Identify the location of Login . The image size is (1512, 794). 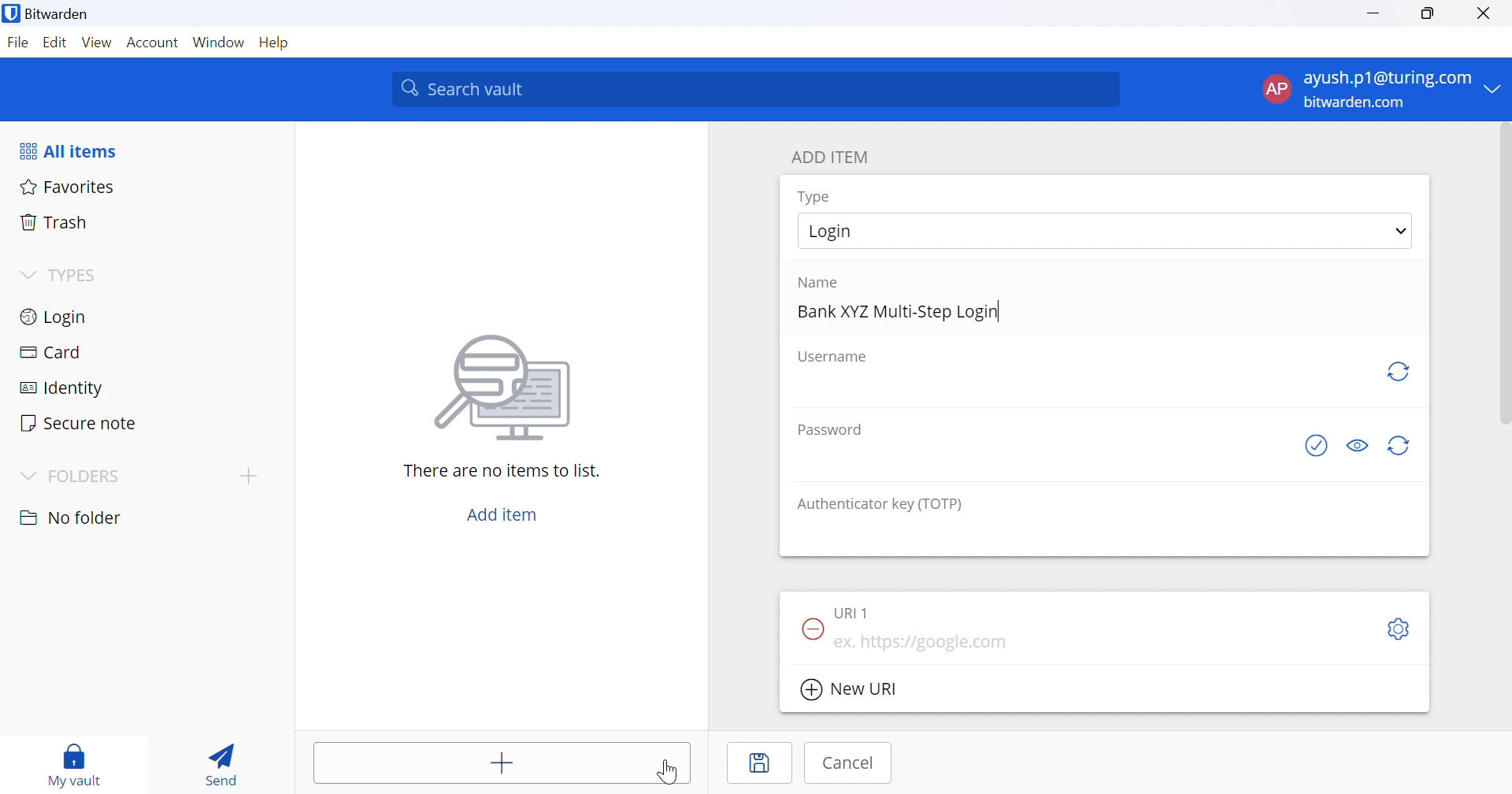
(851, 231).